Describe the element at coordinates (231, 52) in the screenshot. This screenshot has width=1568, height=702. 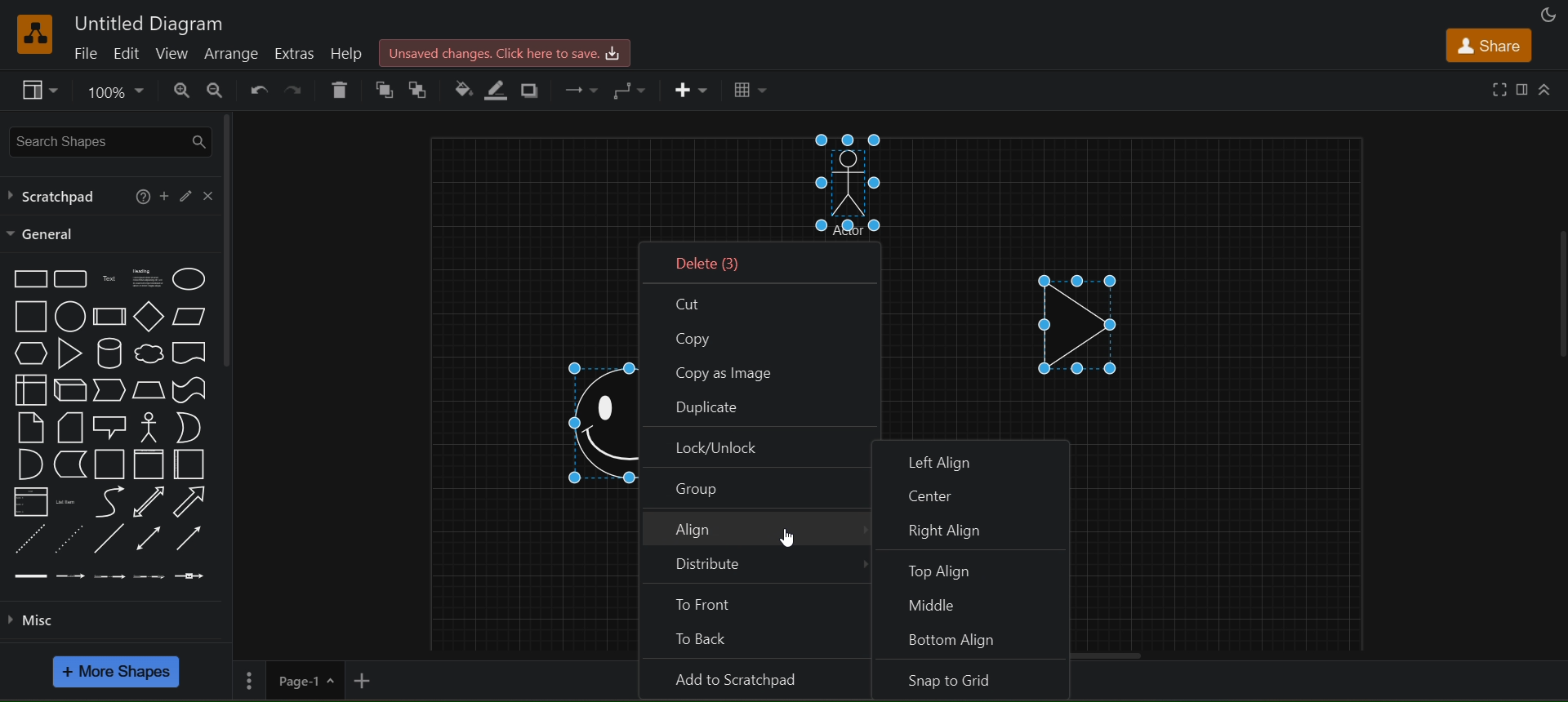
I see `arrange` at that location.